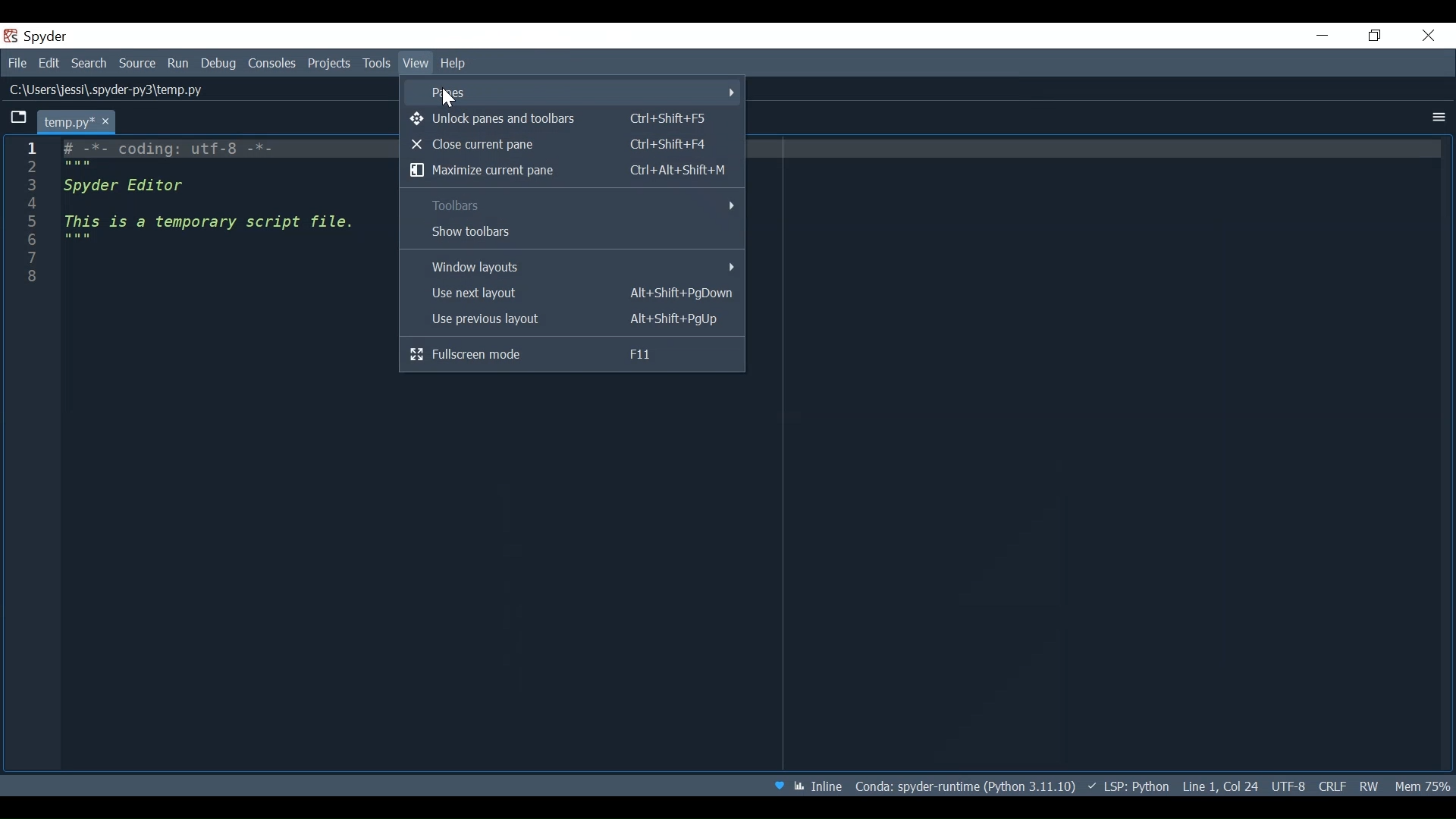 Image resolution: width=1456 pixels, height=819 pixels. I want to click on Browse tabs, so click(19, 118).